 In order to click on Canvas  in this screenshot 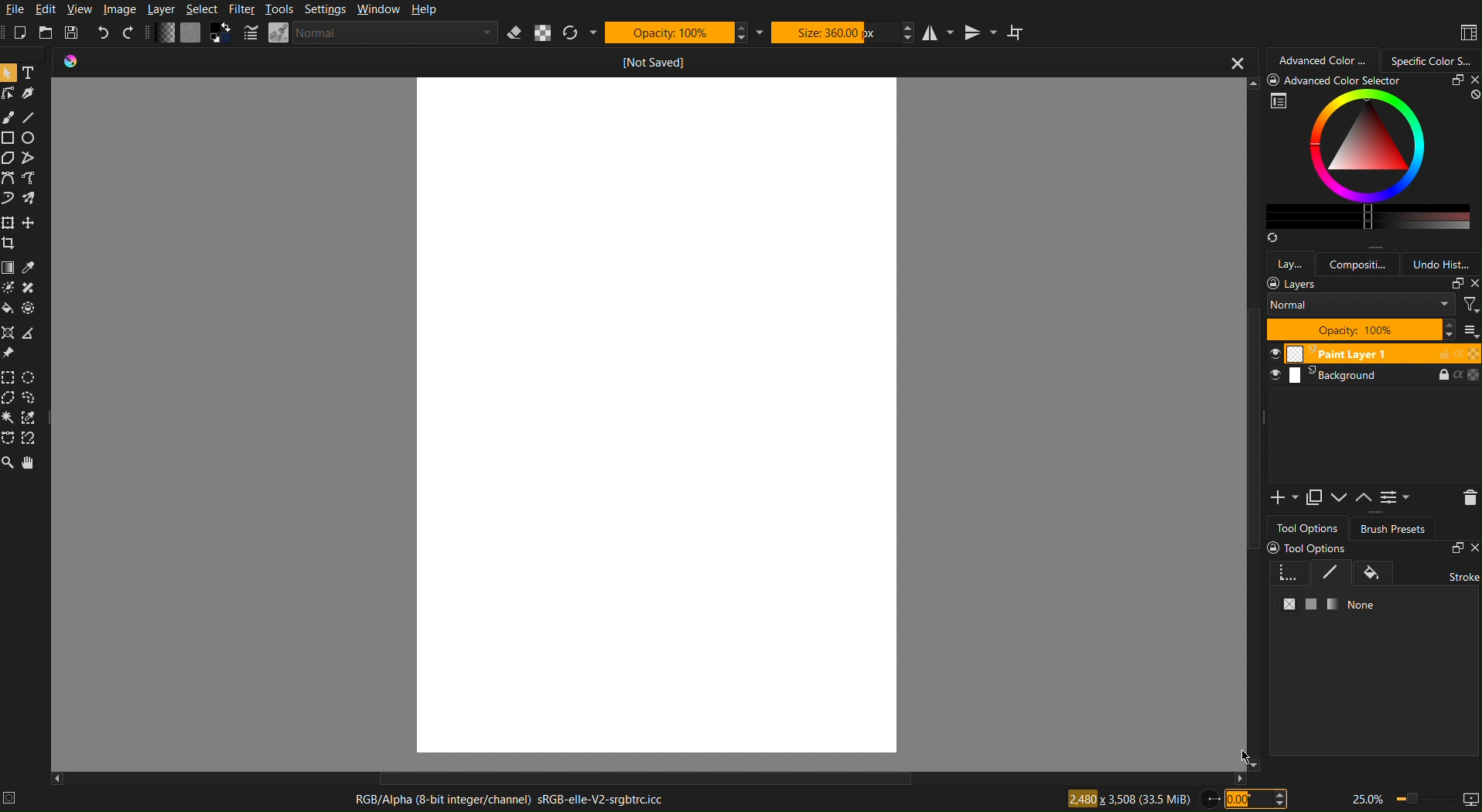, I will do `click(656, 419)`.